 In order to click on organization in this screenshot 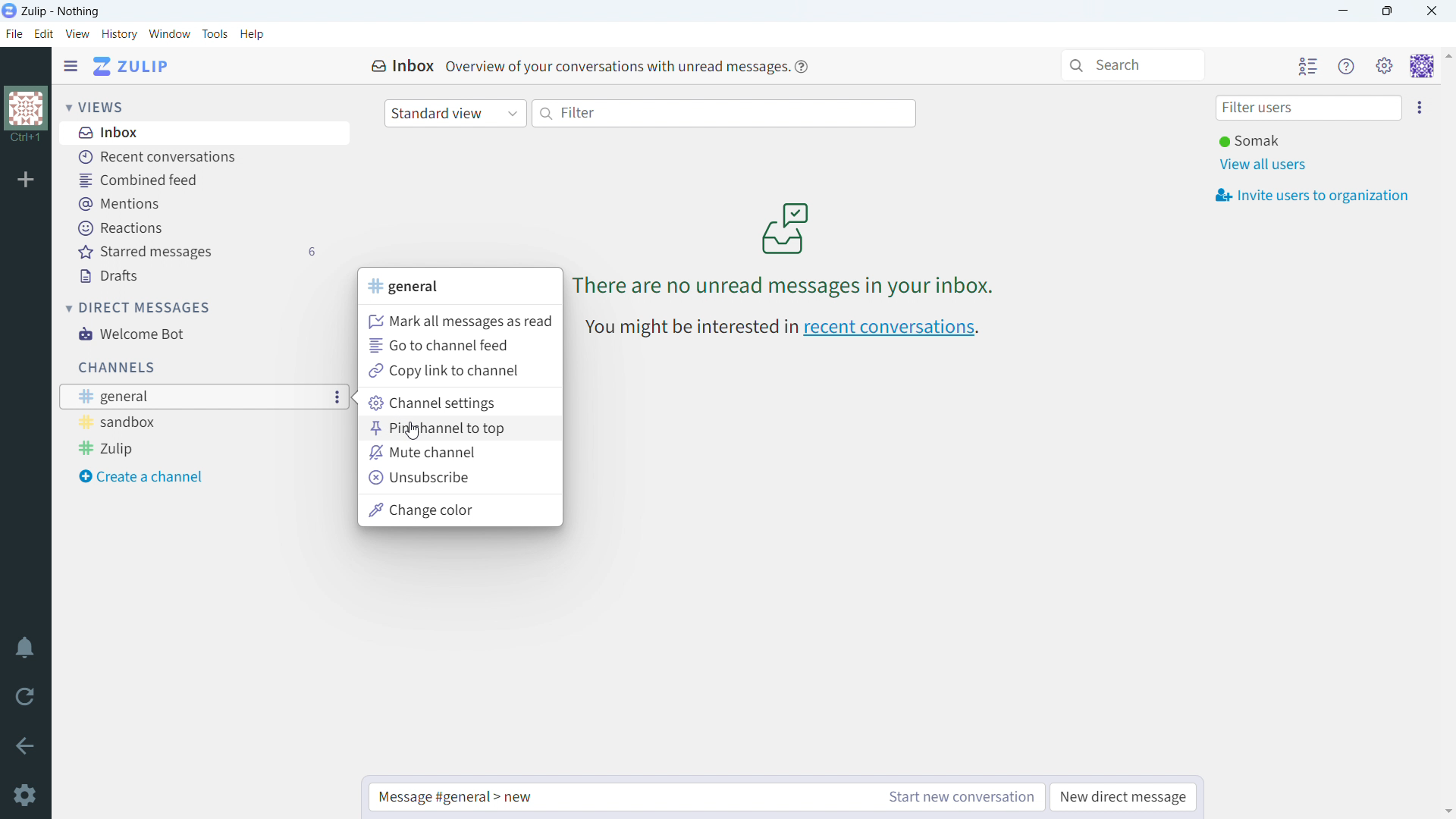, I will do `click(25, 117)`.